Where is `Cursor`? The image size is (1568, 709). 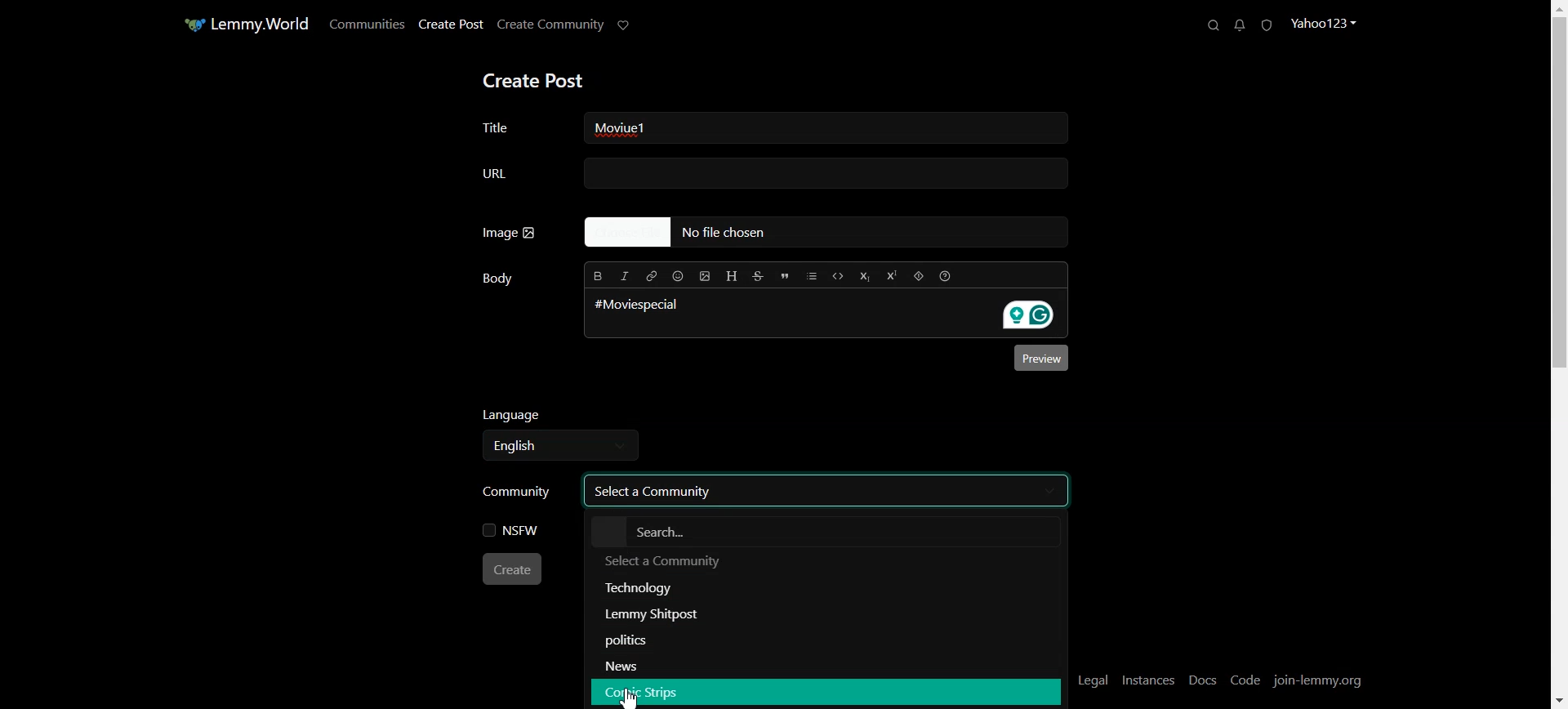
Cursor is located at coordinates (628, 700).